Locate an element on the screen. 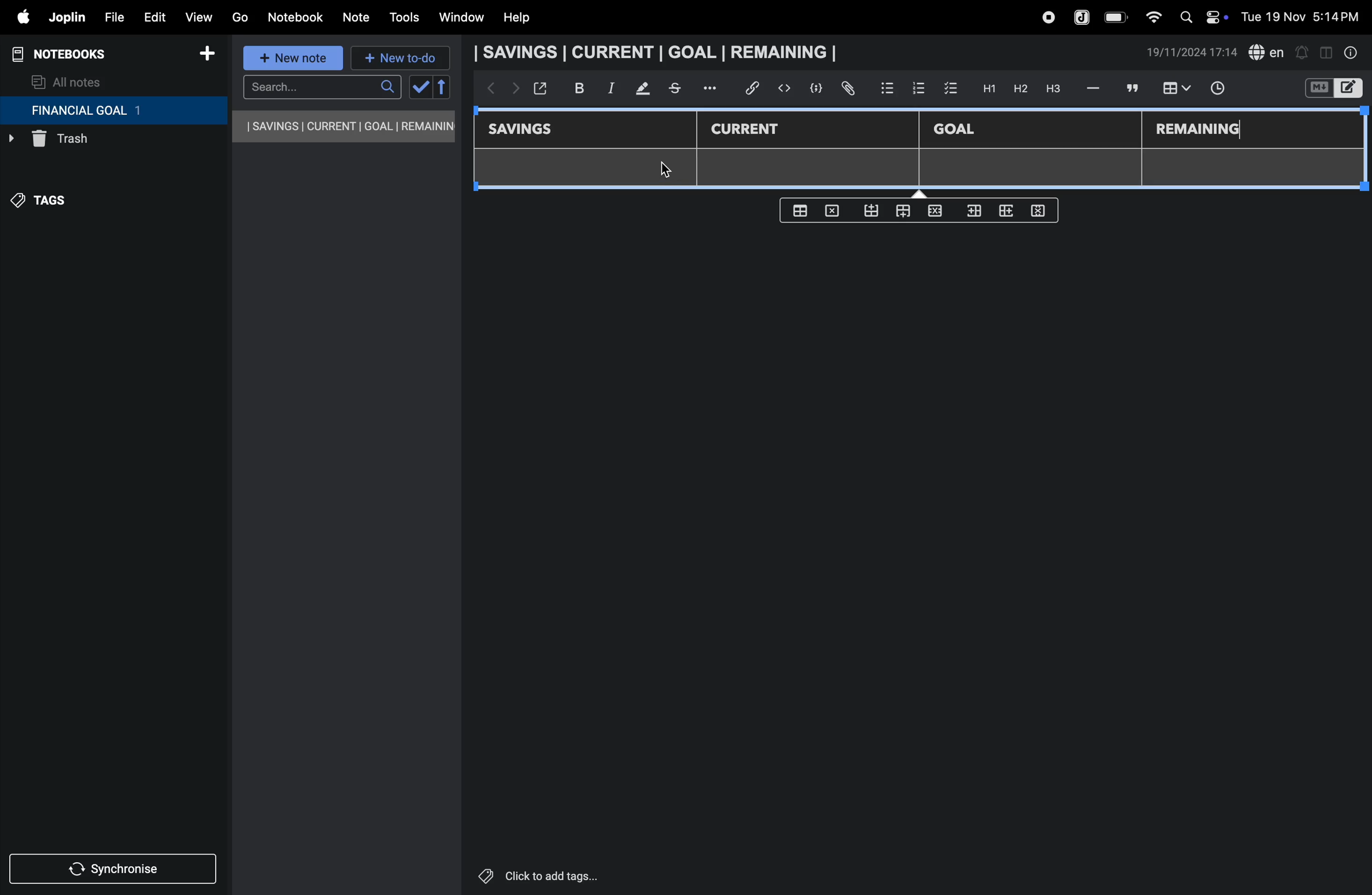 This screenshot has width=1372, height=895. check is located at coordinates (419, 88).